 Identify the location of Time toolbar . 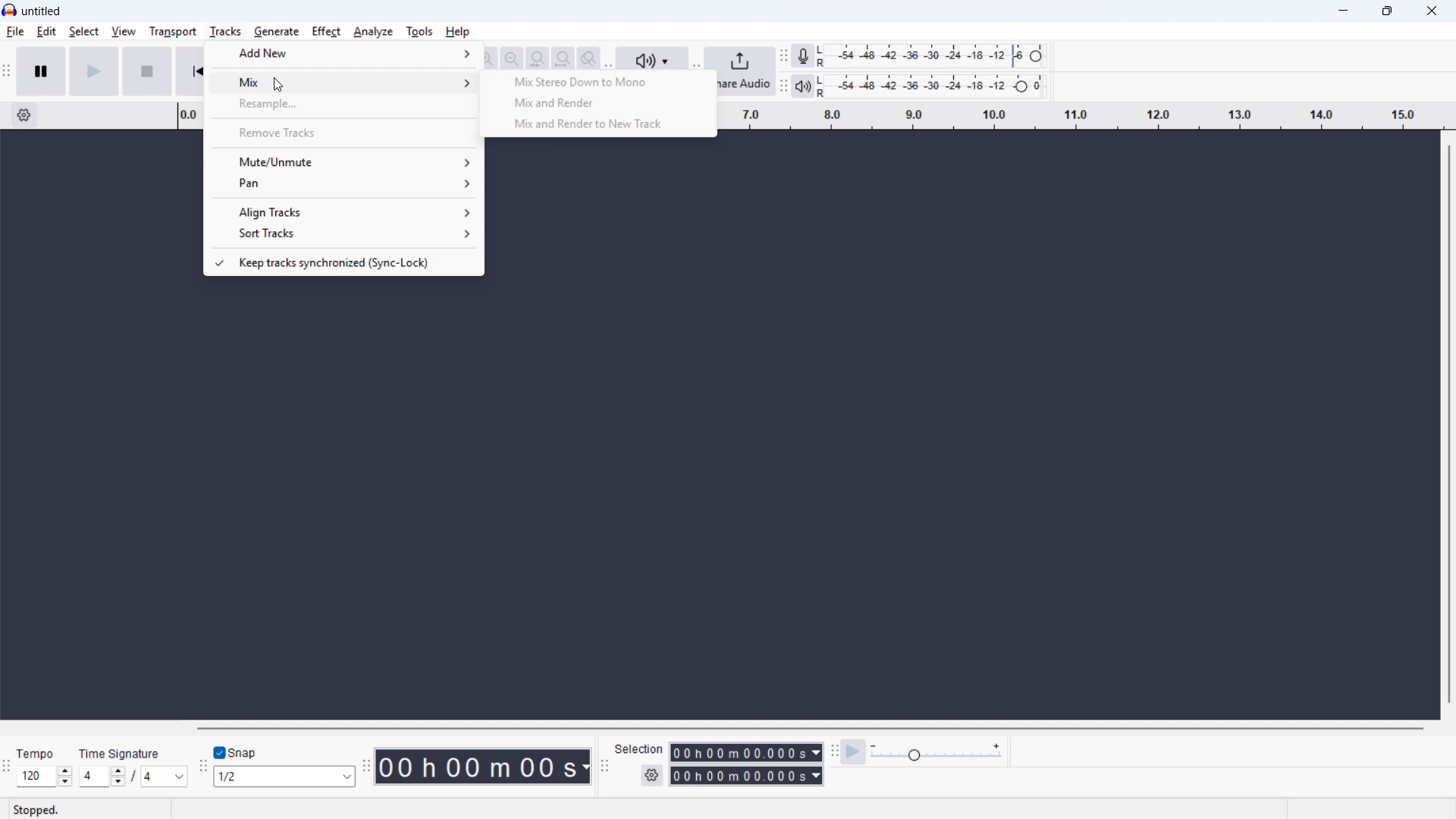
(366, 767).